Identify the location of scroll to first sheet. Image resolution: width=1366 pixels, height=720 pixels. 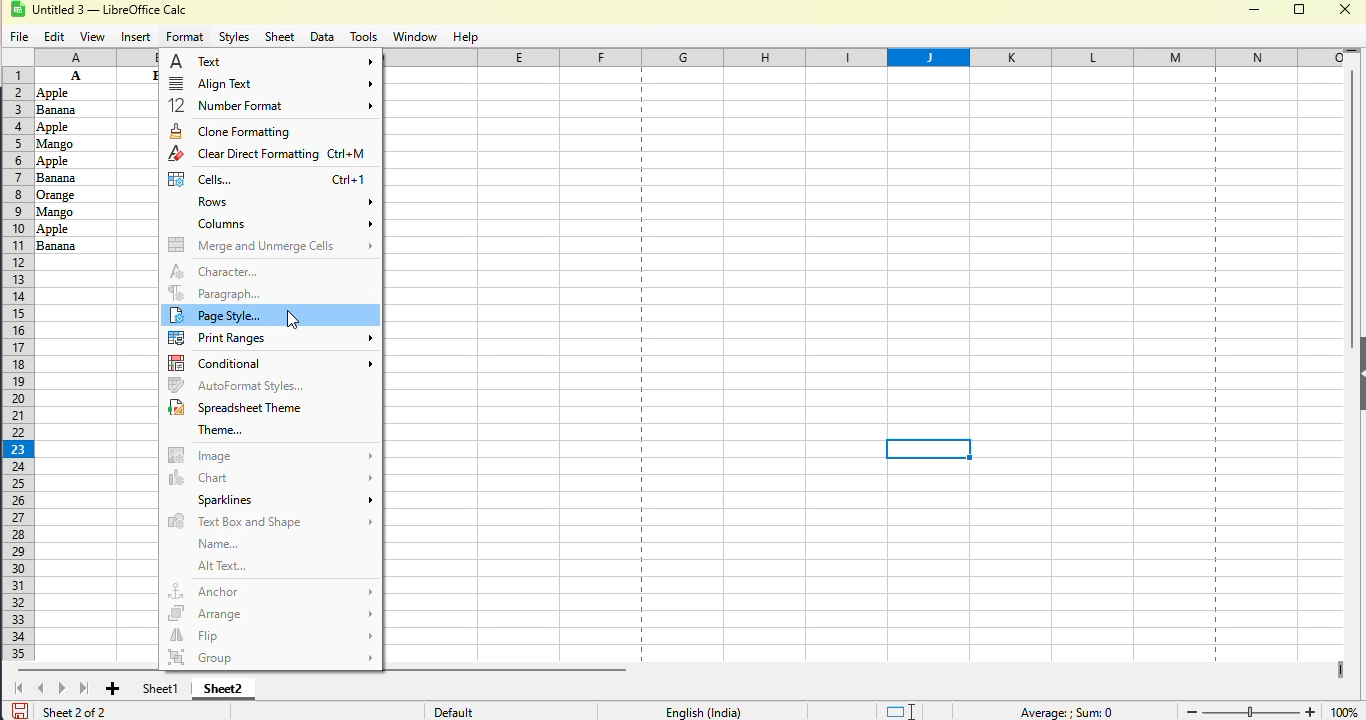
(19, 688).